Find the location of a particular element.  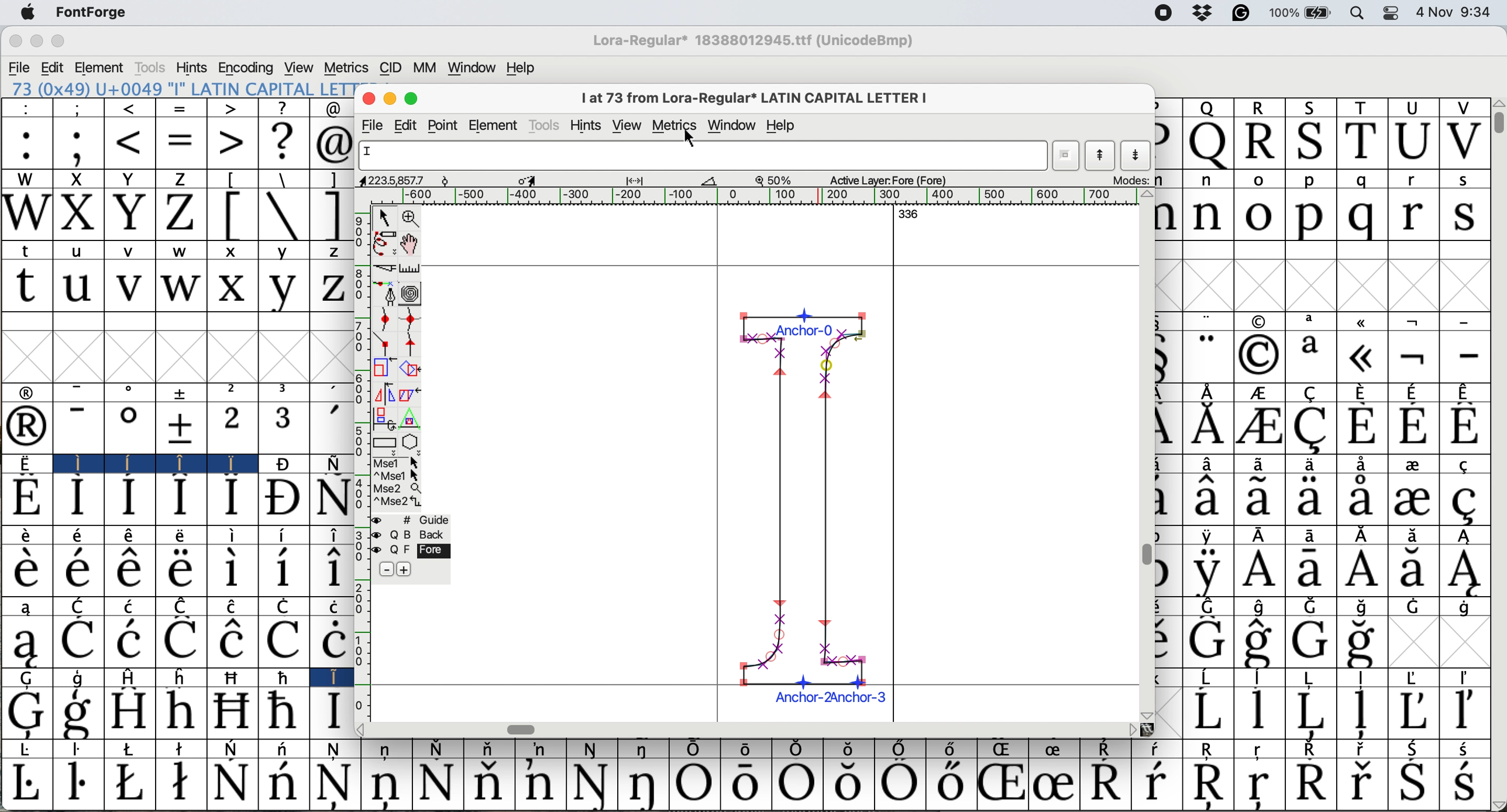

: is located at coordinates (25, 108).